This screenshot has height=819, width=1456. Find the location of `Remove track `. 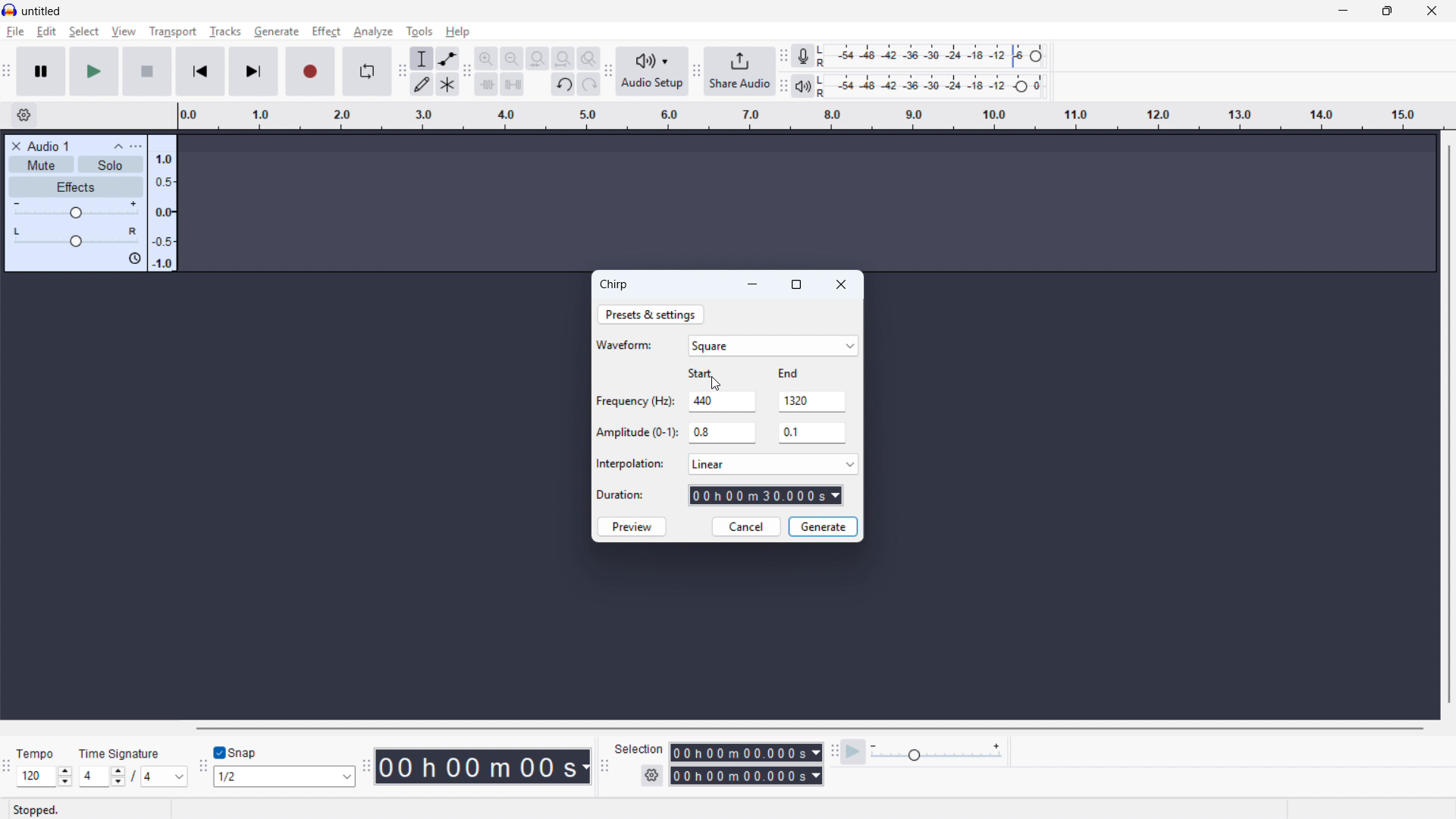

Remove track  is located at coordinates (15, 146).